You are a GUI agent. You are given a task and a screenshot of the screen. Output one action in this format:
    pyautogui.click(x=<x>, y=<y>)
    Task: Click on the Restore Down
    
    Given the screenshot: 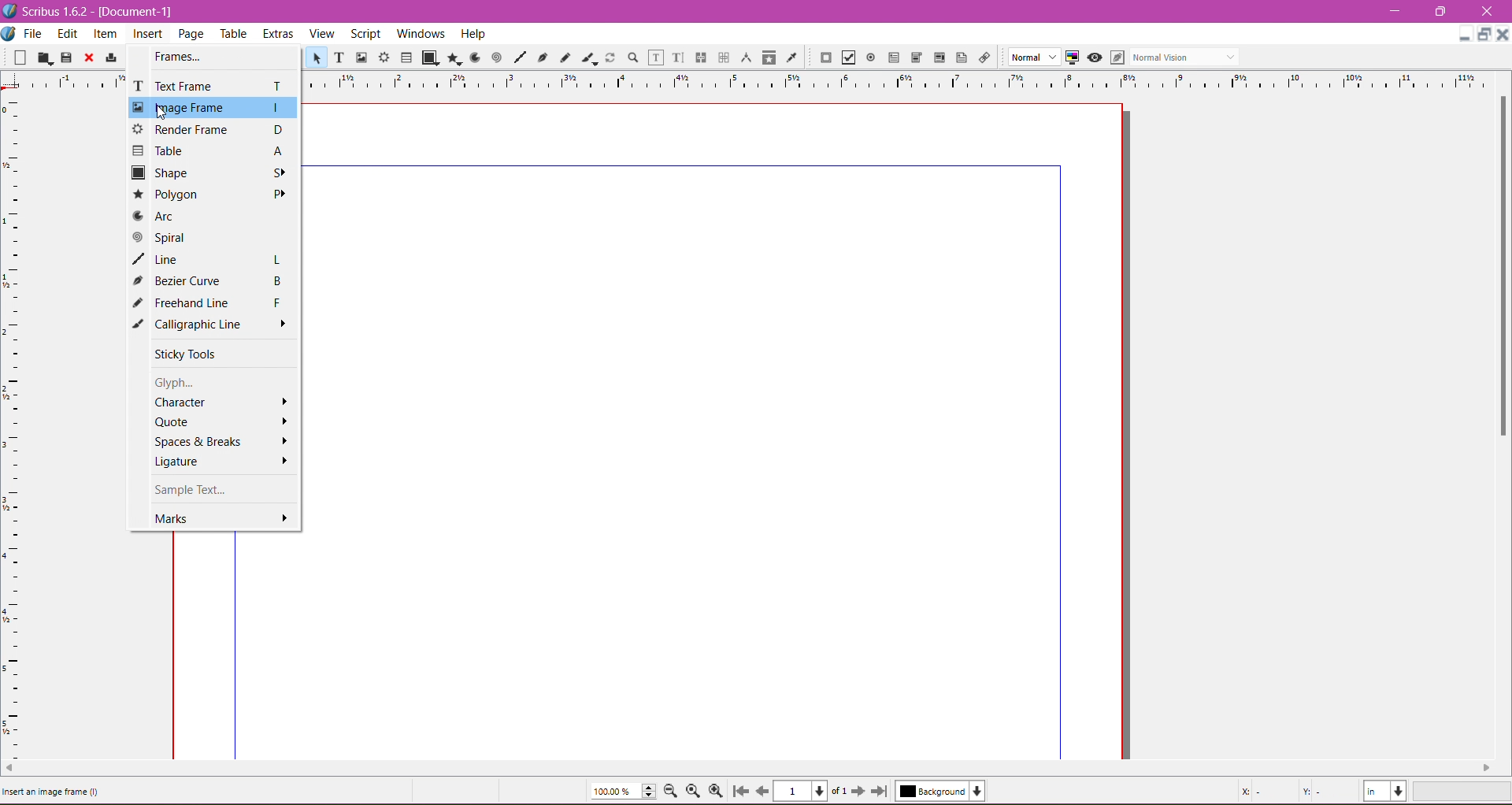 What is the action you would take?
    pyautogui.click(x=1439, y=11)
    